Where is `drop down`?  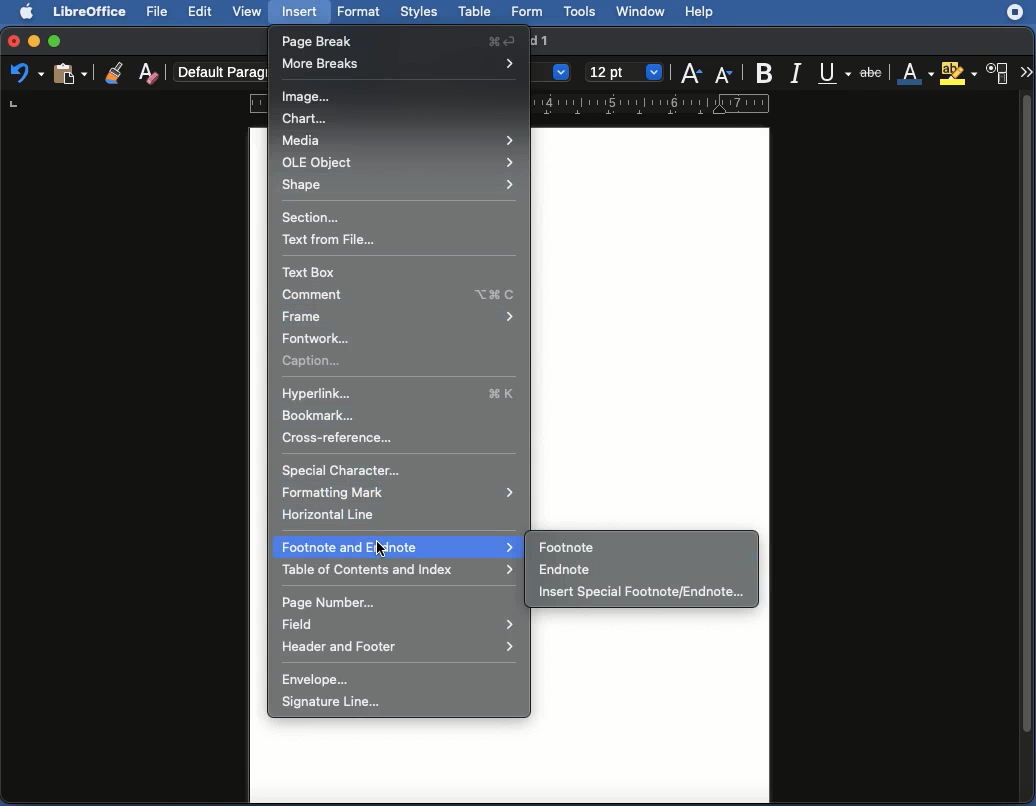
drop down is located at coordinates (564, 73).